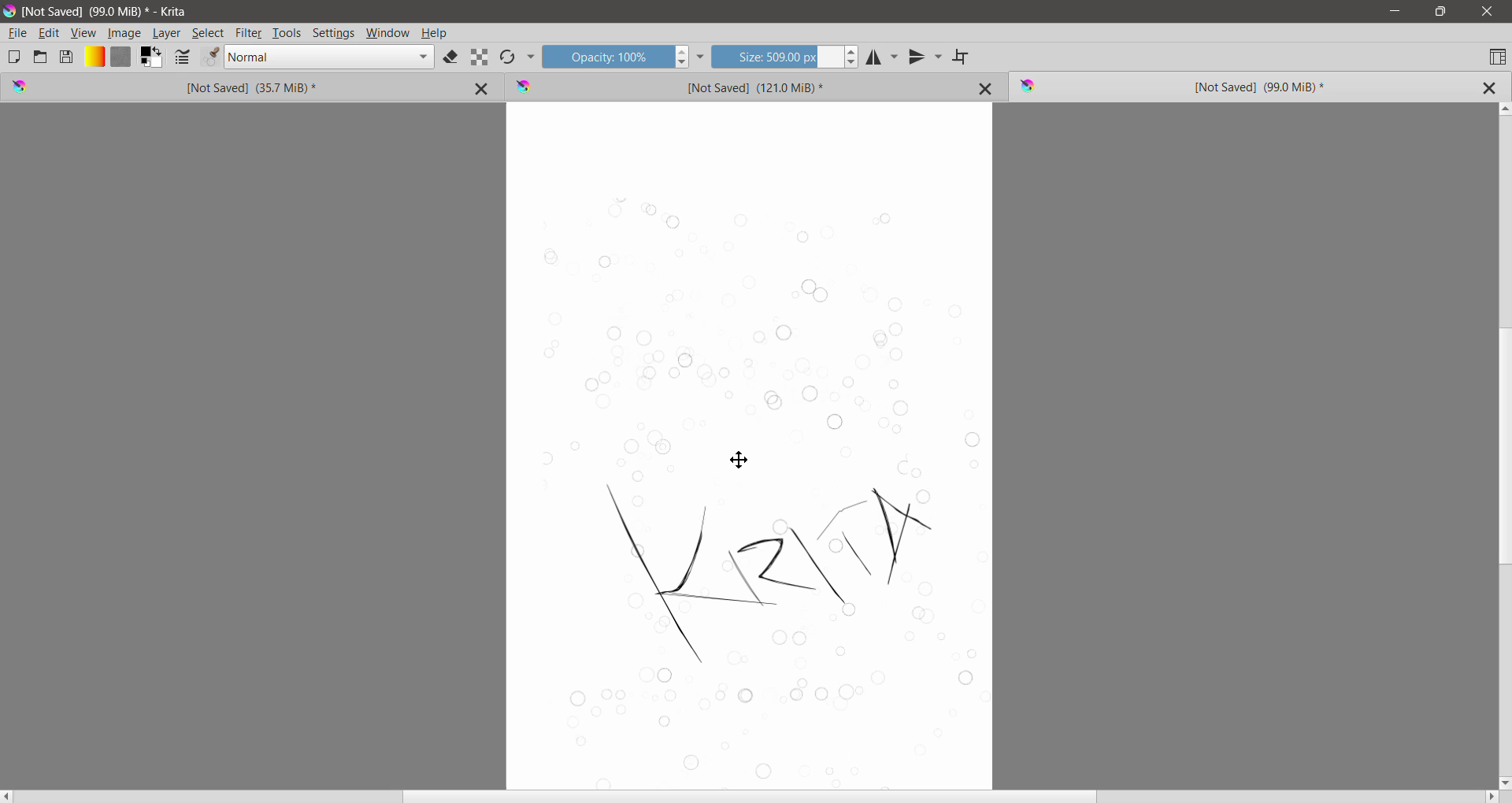 The height and width of the screenshot is (803, 1512). I want to click on Minimize, so click(1395, 11).